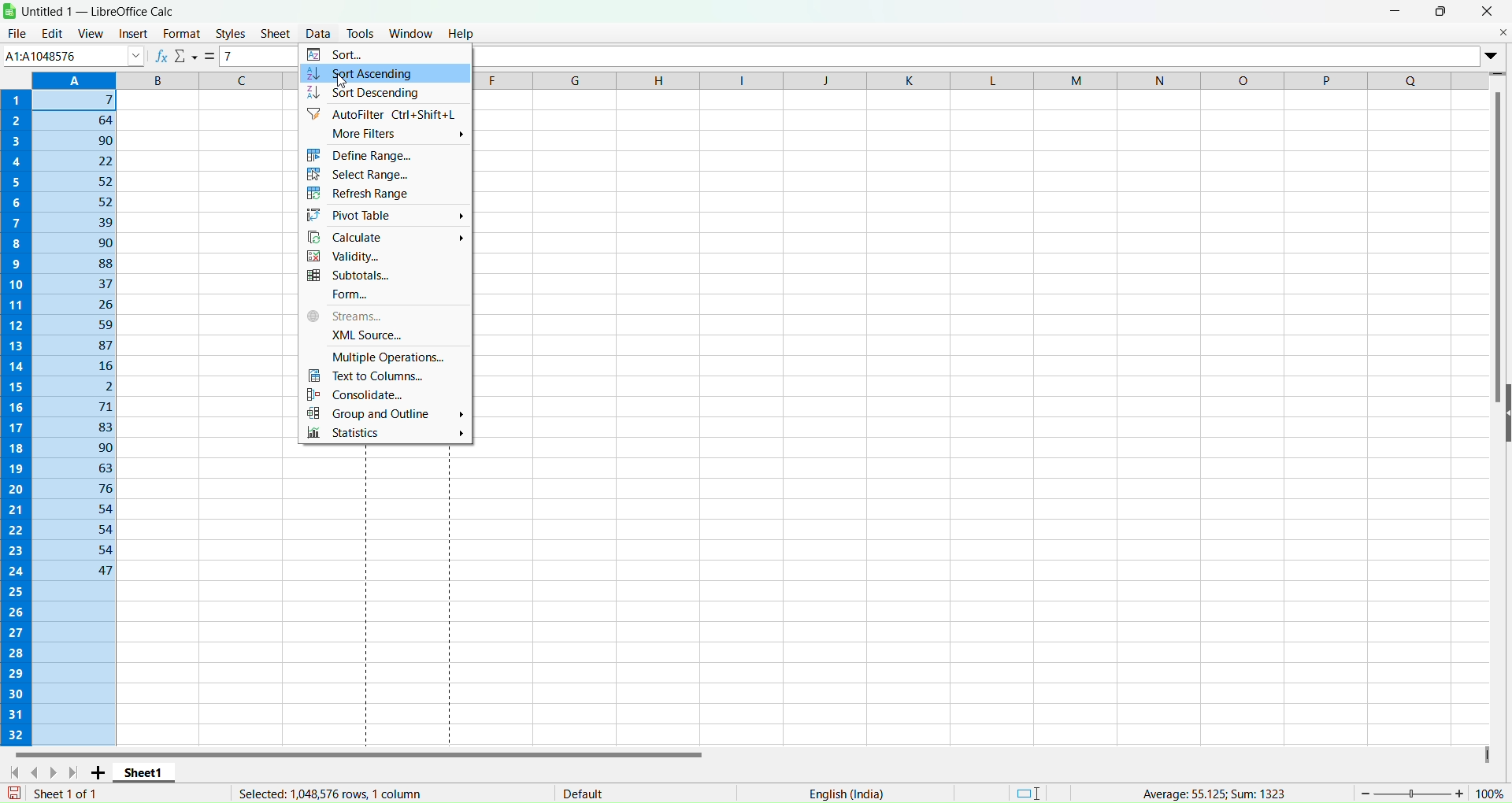  Describe the element at coordinates (383, 414) in the screenshot. I see `Group and Outline` at that location.